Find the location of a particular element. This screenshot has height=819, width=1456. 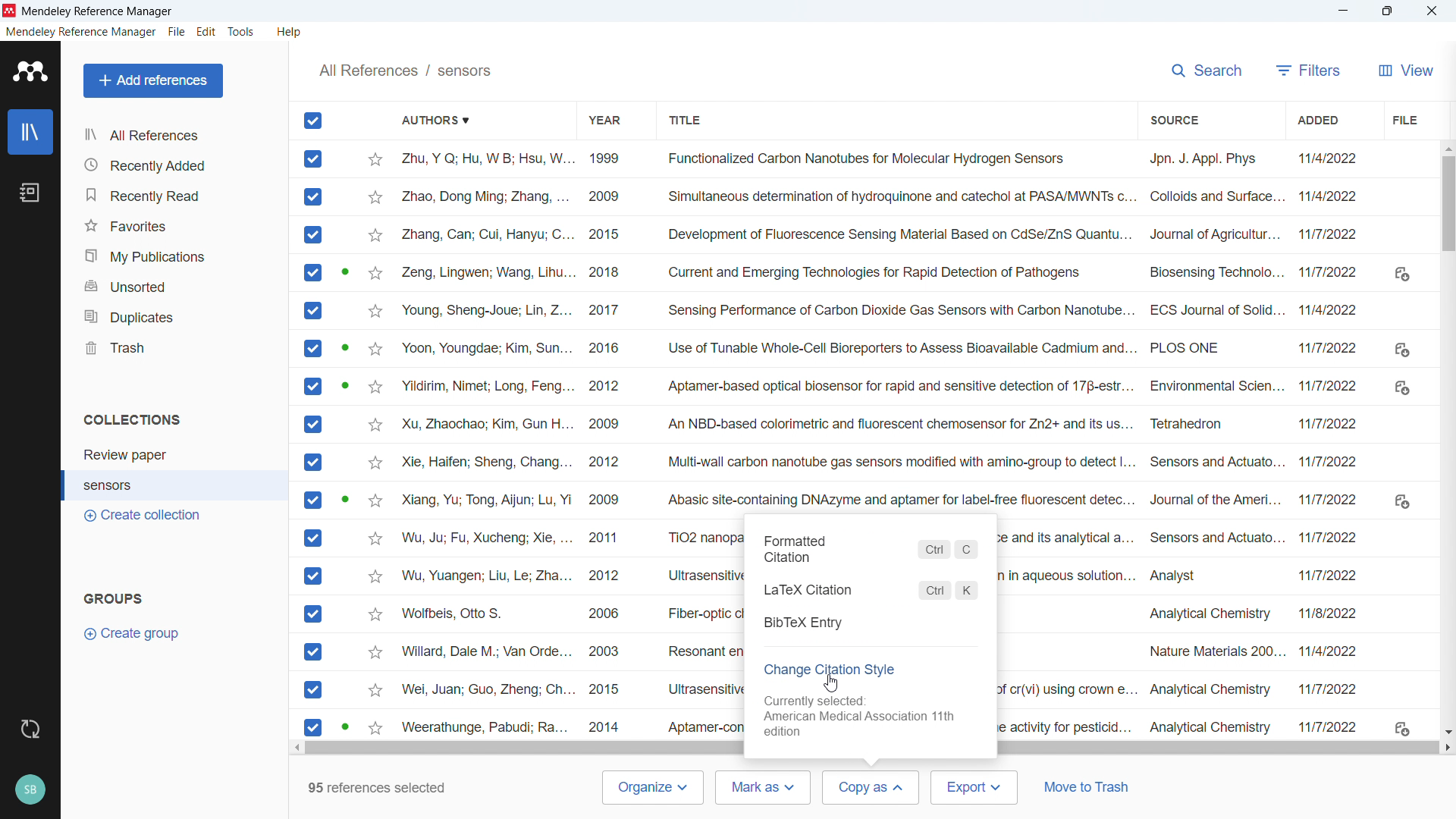

Download links where Pdfs available is located at coordinates (1403, 501).